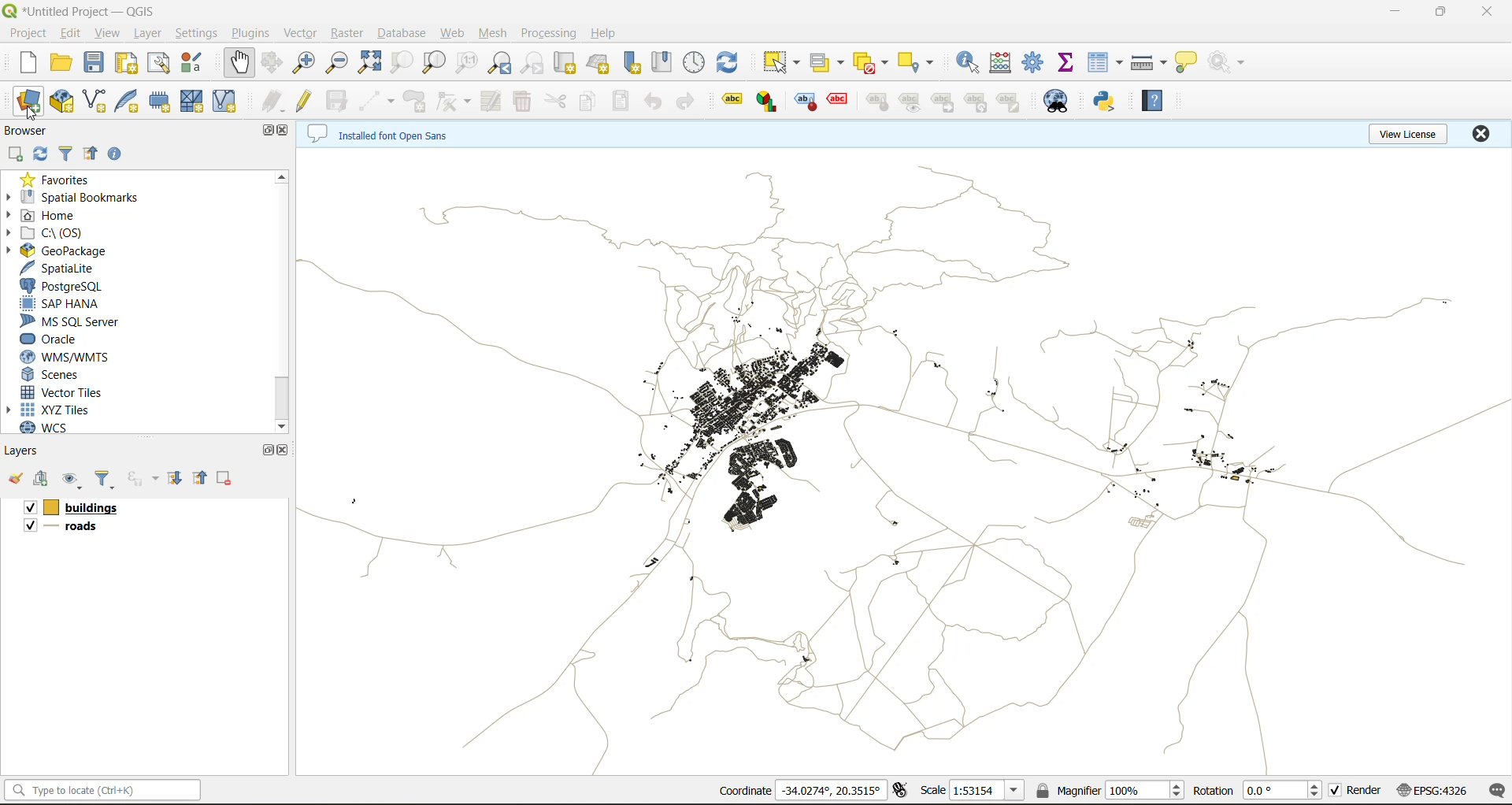  What do you see at coordinates (453, 102) in the screenshot?
I see `vertex tools` at bounding box center [453, 102].